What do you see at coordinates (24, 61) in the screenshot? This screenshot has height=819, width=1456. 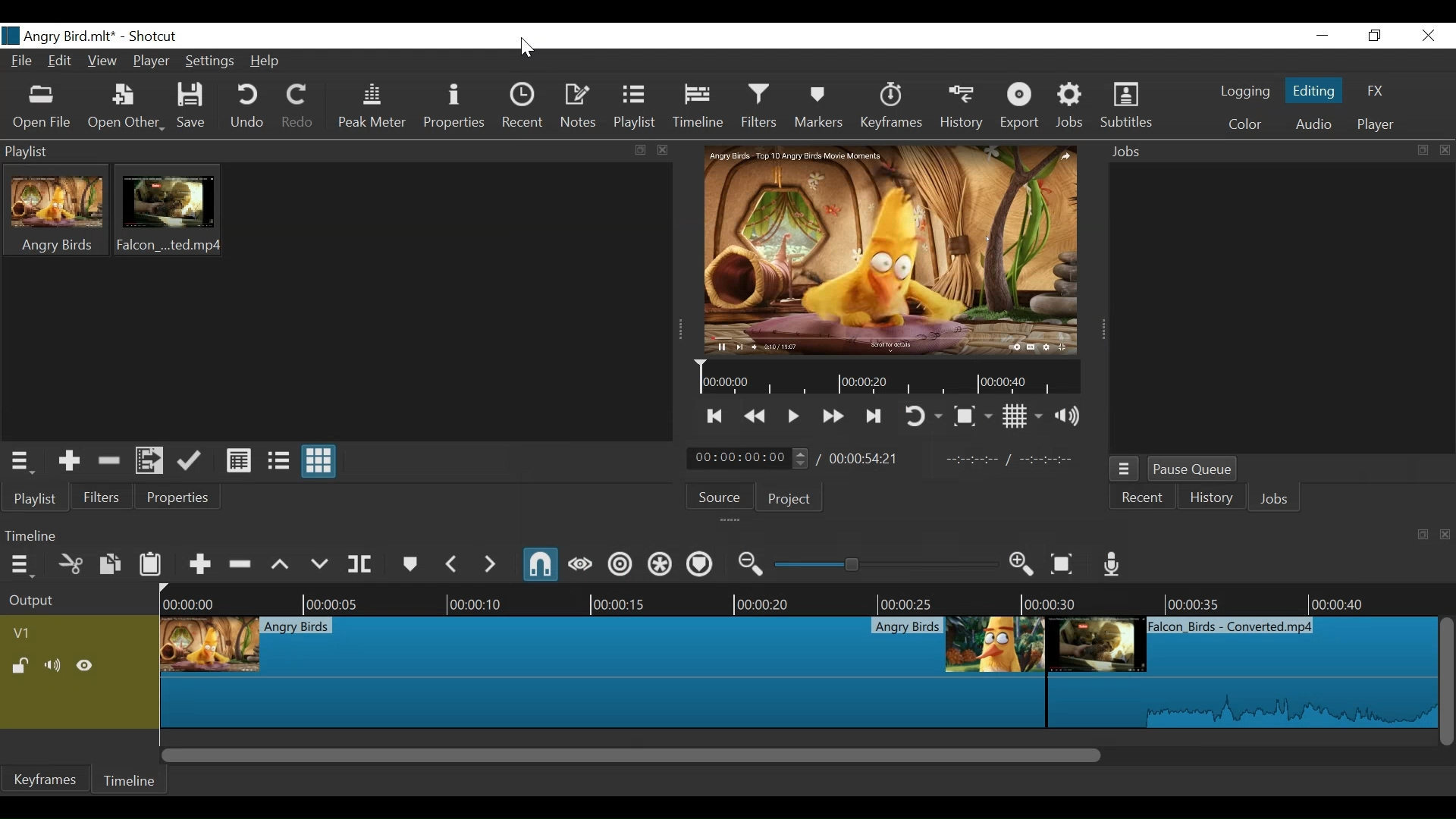 I see `File` at bounding box center [24, 61].